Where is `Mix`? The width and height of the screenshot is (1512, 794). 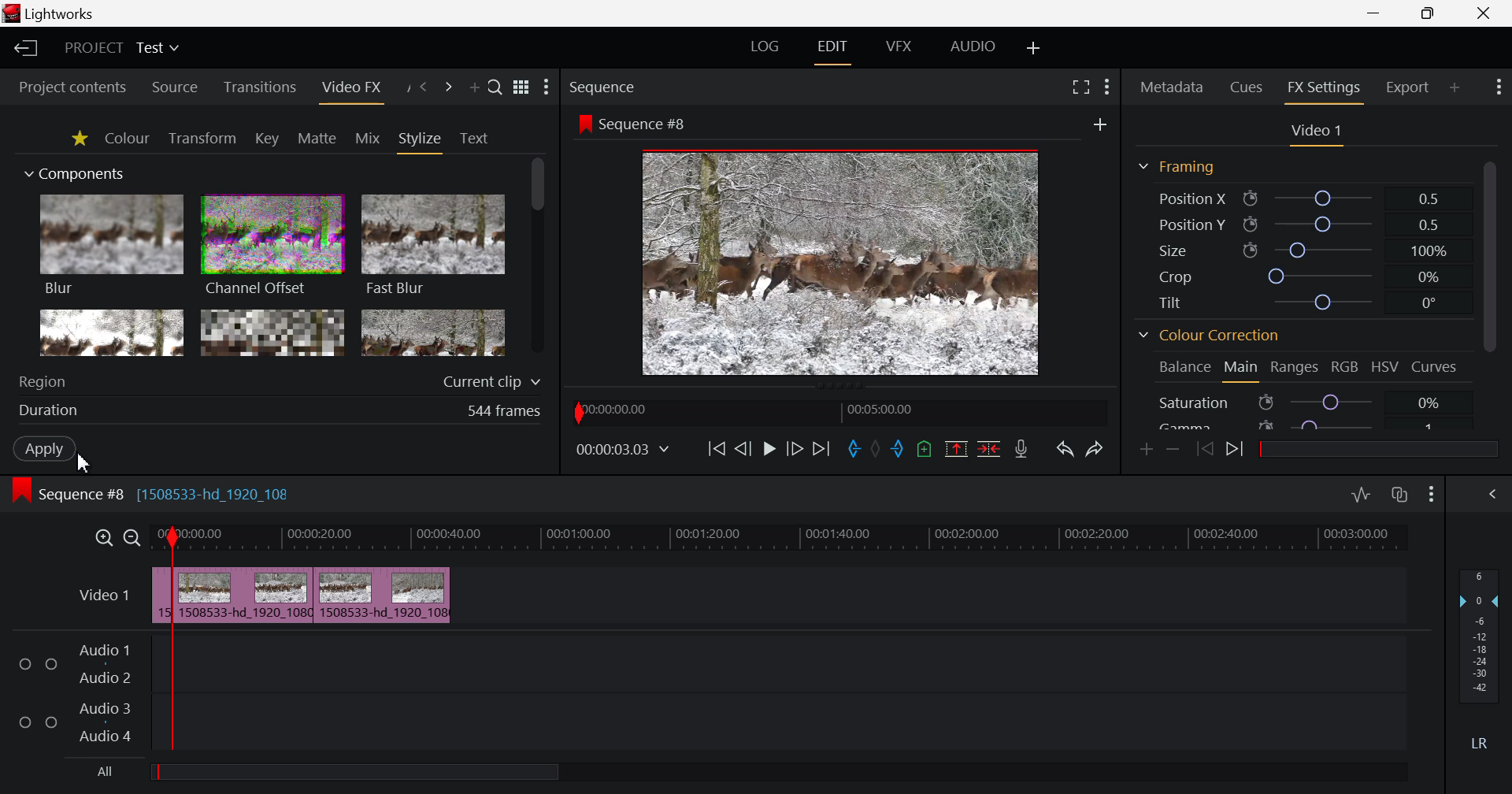 Mix is located at coordinates (368, 138).